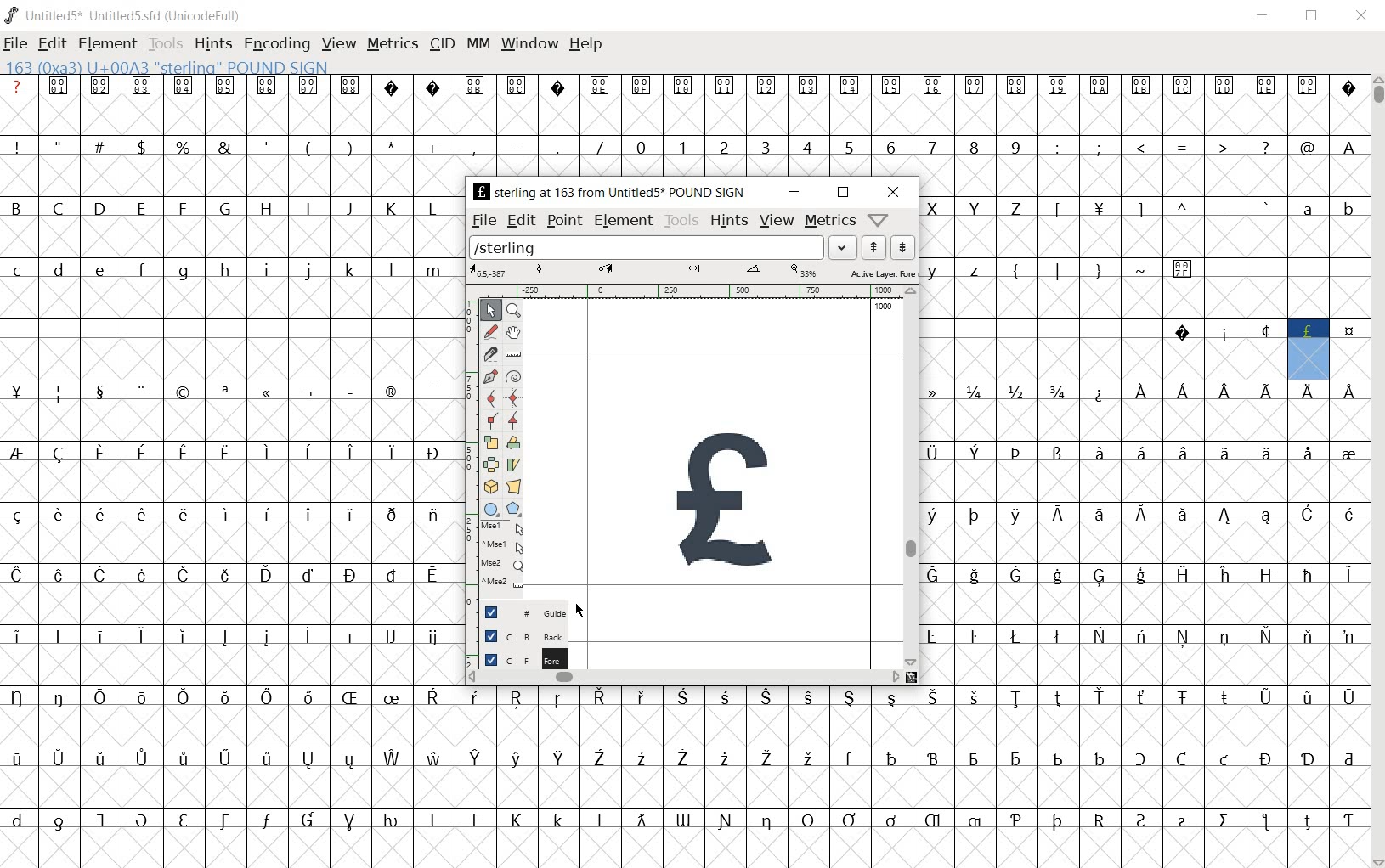 The height and width of the screenshot is (868, 1385). What do you see at coordinates (1143, 699) in the screenshot?
I see `Symbol` at bounding box center [1143, 699].